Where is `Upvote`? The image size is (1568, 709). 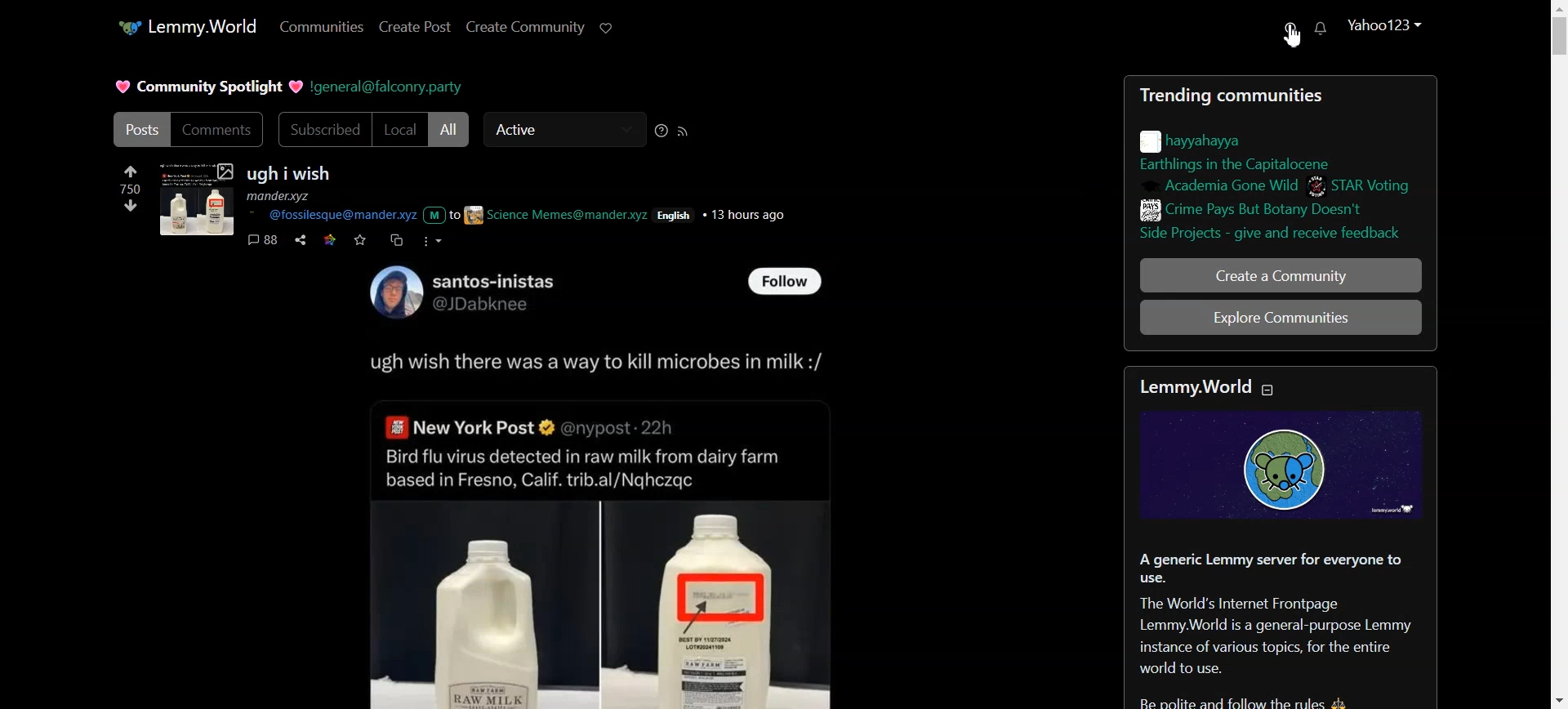
Upvote is located at coordinates (131, 178).